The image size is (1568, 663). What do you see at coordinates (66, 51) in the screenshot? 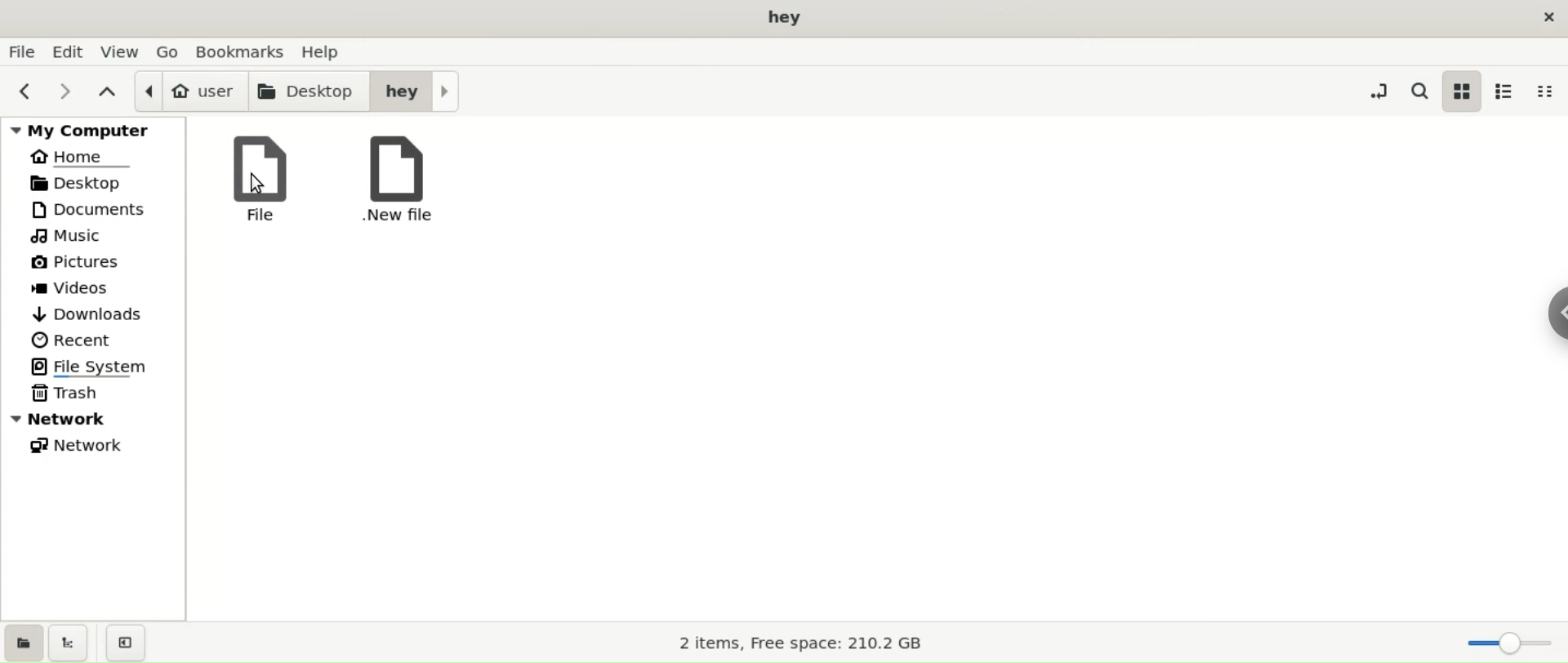
I see `edit` at bounding box center [66, 51].